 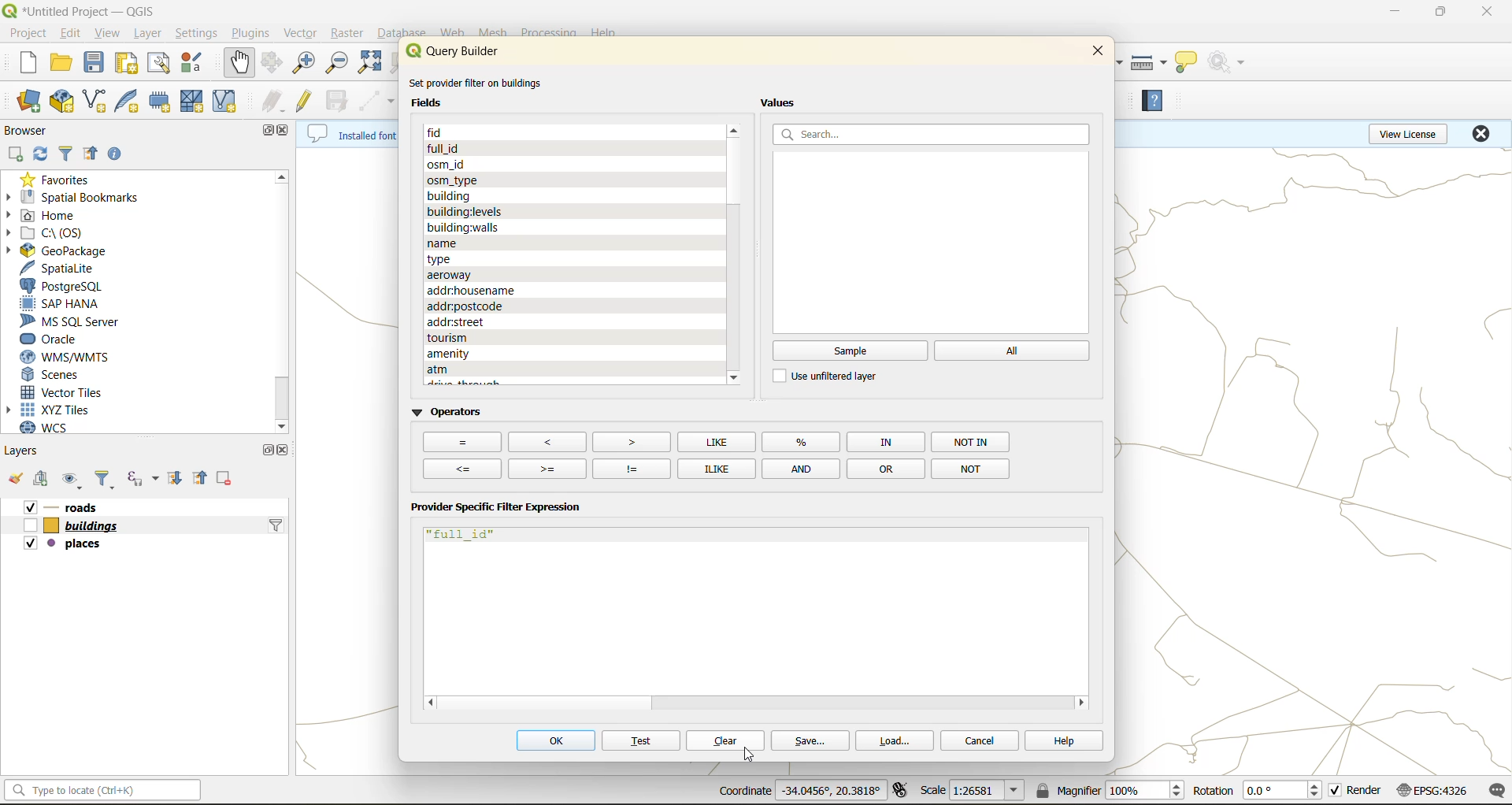 What do you see at coordinates (228, 103) in the screenshot?
I see `new virtual layer` at bounding box center [228, 103].